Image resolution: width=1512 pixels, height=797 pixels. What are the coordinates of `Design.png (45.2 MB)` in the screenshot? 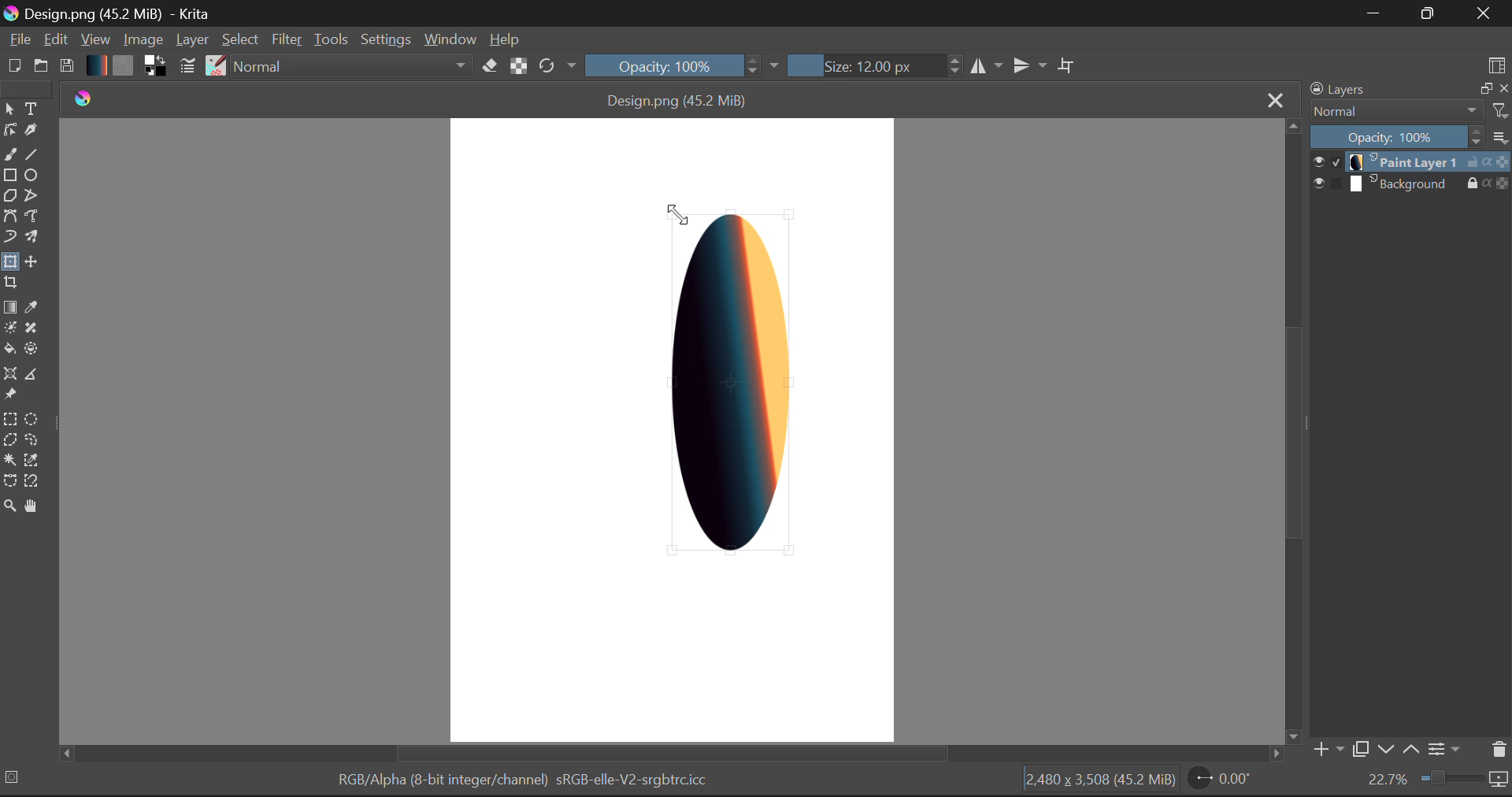 It's located at (679, 98).